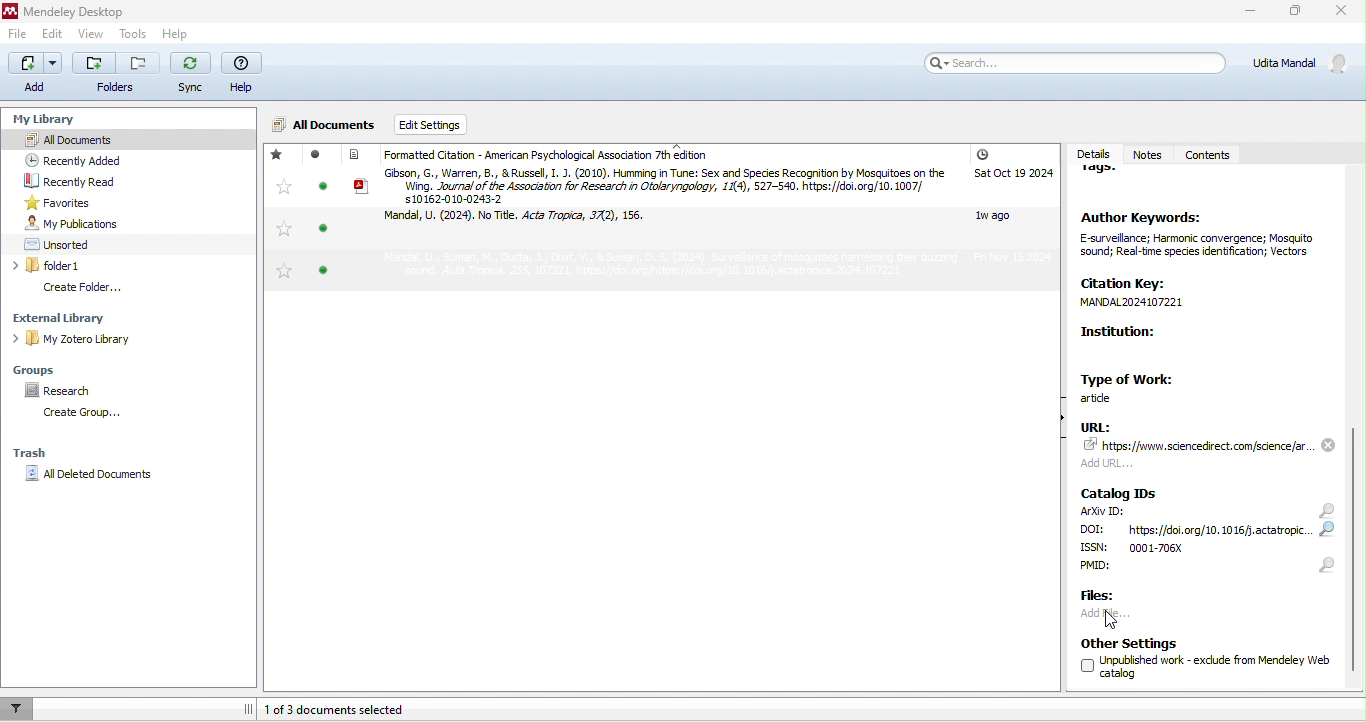 The width and height of the screenshot is (1366, 722). I want to click on Other Settings
(0 Ublhed vor -exchde om Mende Web, so click(1199, 662).